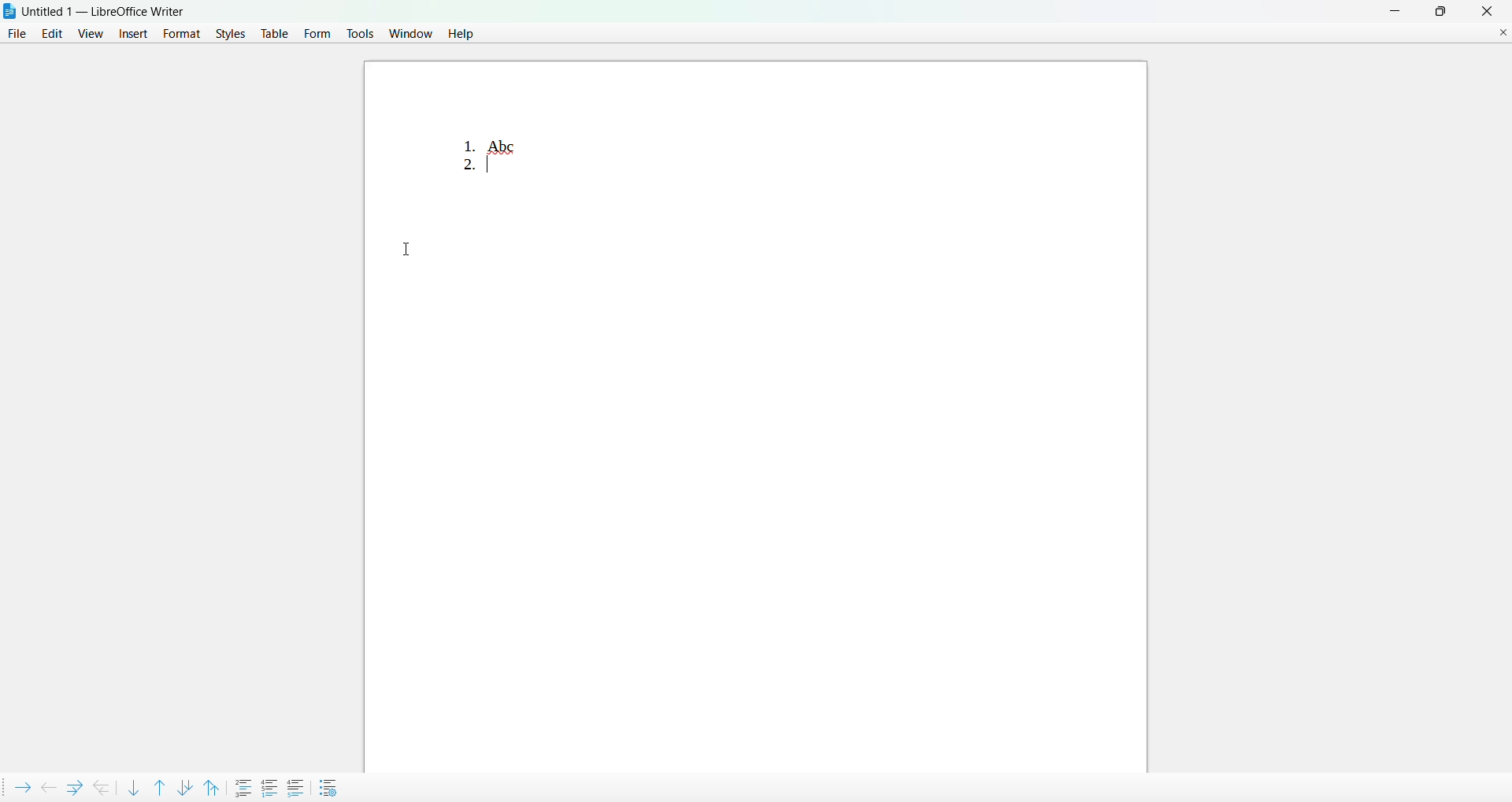  What do you see at coordinates (185, 785) in the screenshot?
I see `move item down with subpoints` at bounding box center [185, 785].